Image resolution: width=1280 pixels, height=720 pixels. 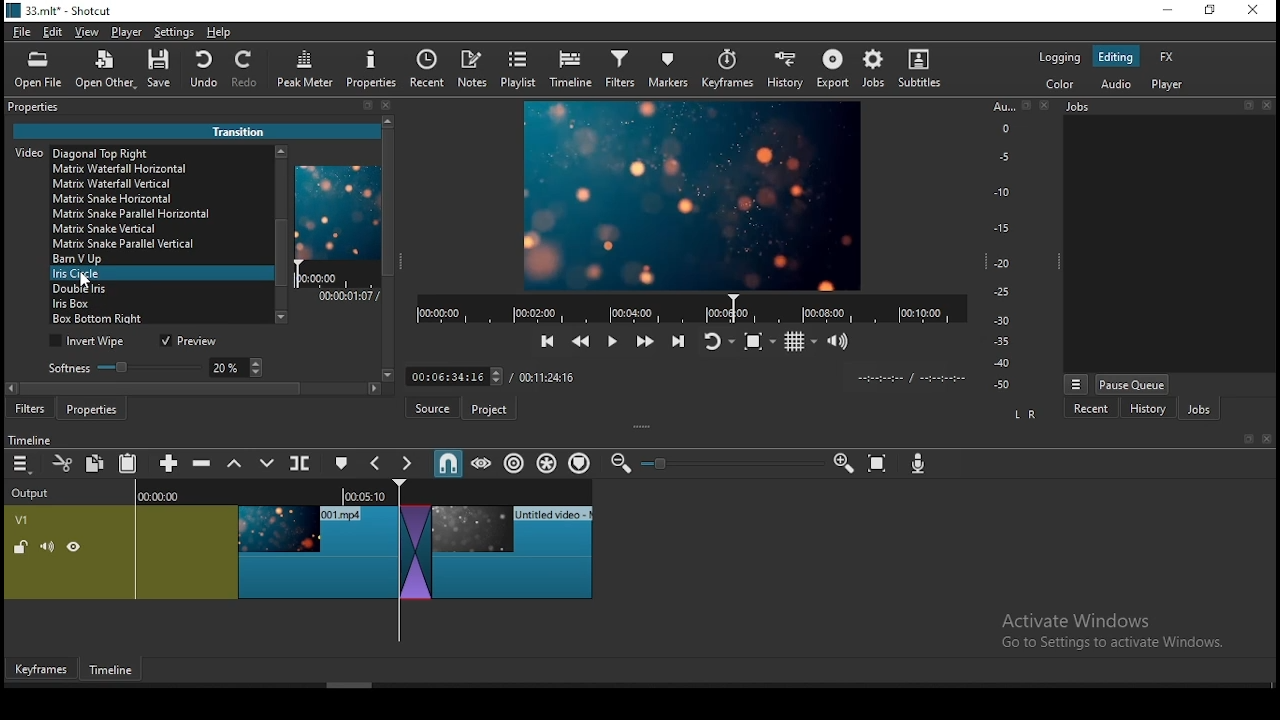 I want to click on save, so click(x=163, y=72).